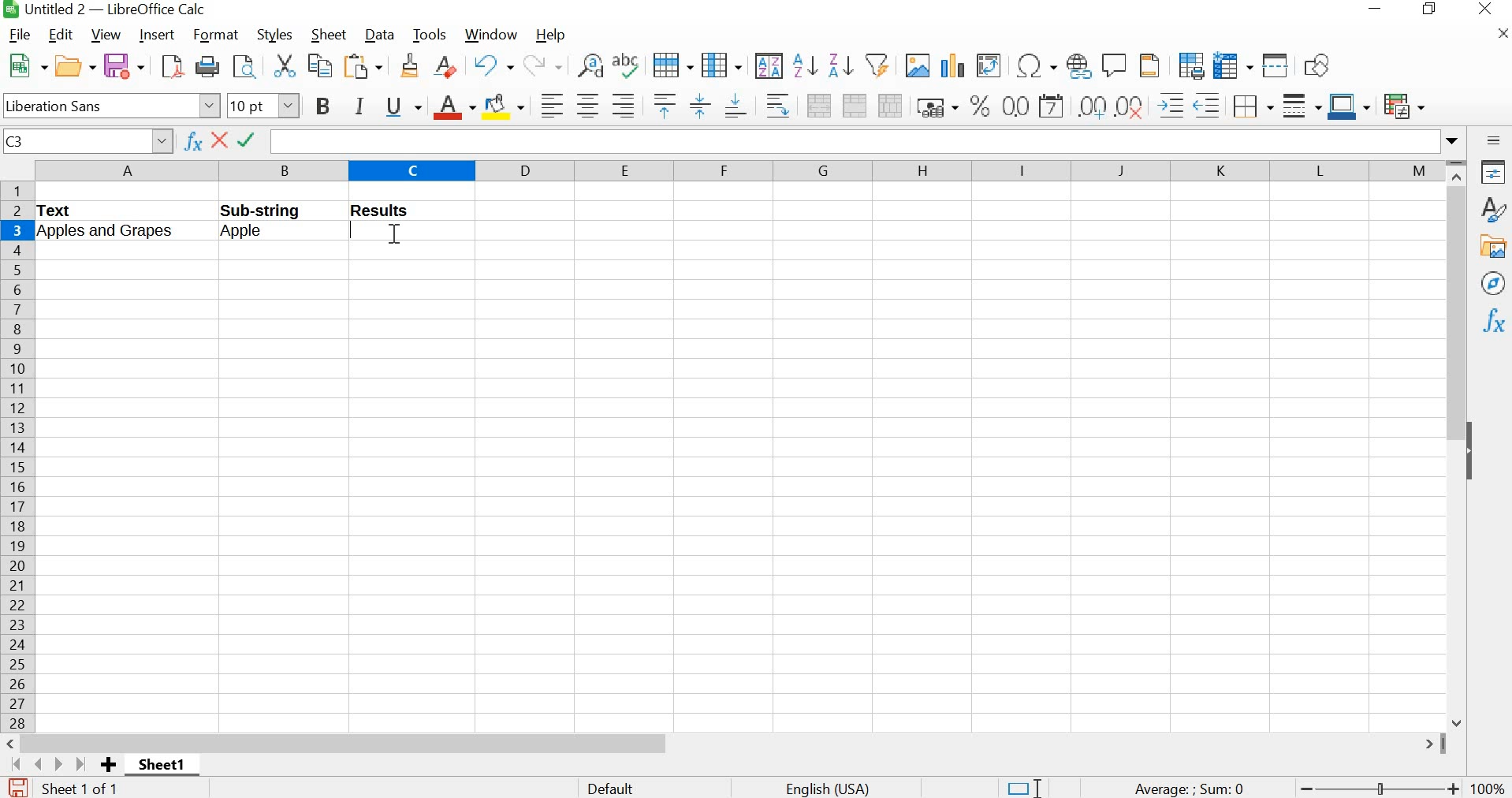 This screenshot has width=1512, height=798. Describe the element at coordinates (1190, 64) in the screenshot. I see `define print area` at that location.